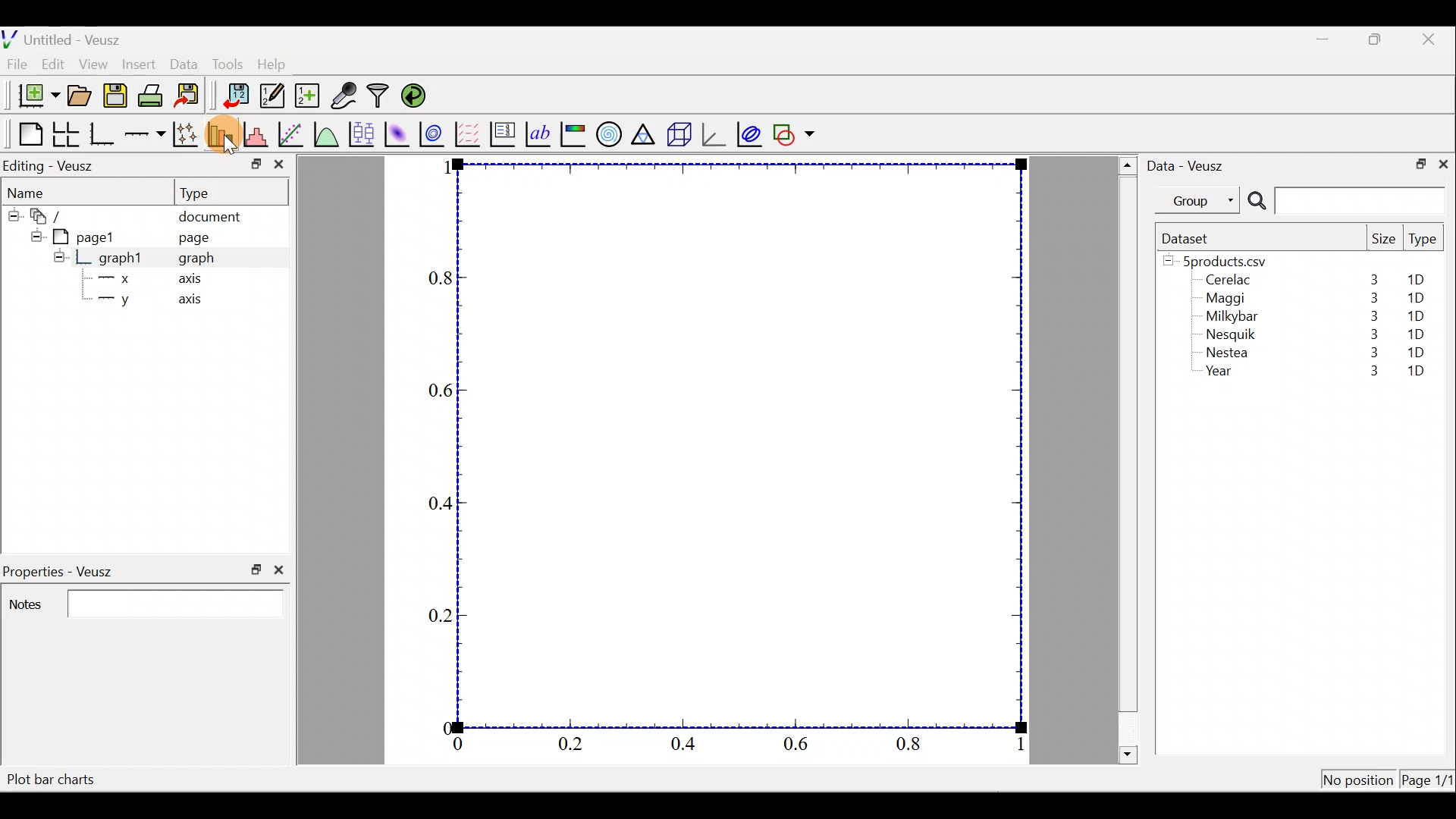  Describe the element at coordinates (1227, 300) in the screenshot. I see `Maggi` at that location.